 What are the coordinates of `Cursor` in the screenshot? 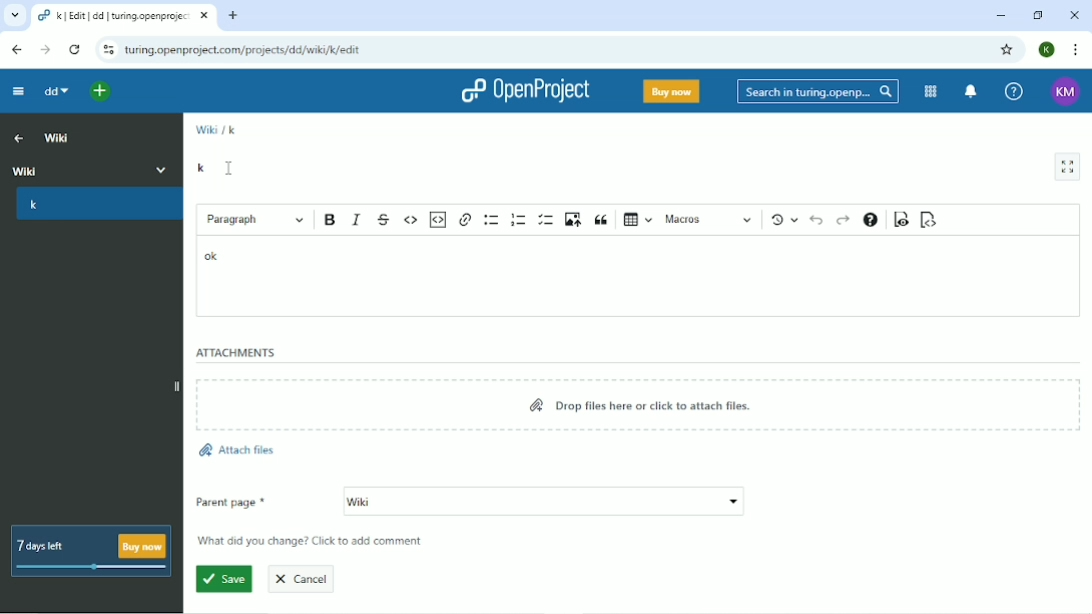 It's located at (231, 168).